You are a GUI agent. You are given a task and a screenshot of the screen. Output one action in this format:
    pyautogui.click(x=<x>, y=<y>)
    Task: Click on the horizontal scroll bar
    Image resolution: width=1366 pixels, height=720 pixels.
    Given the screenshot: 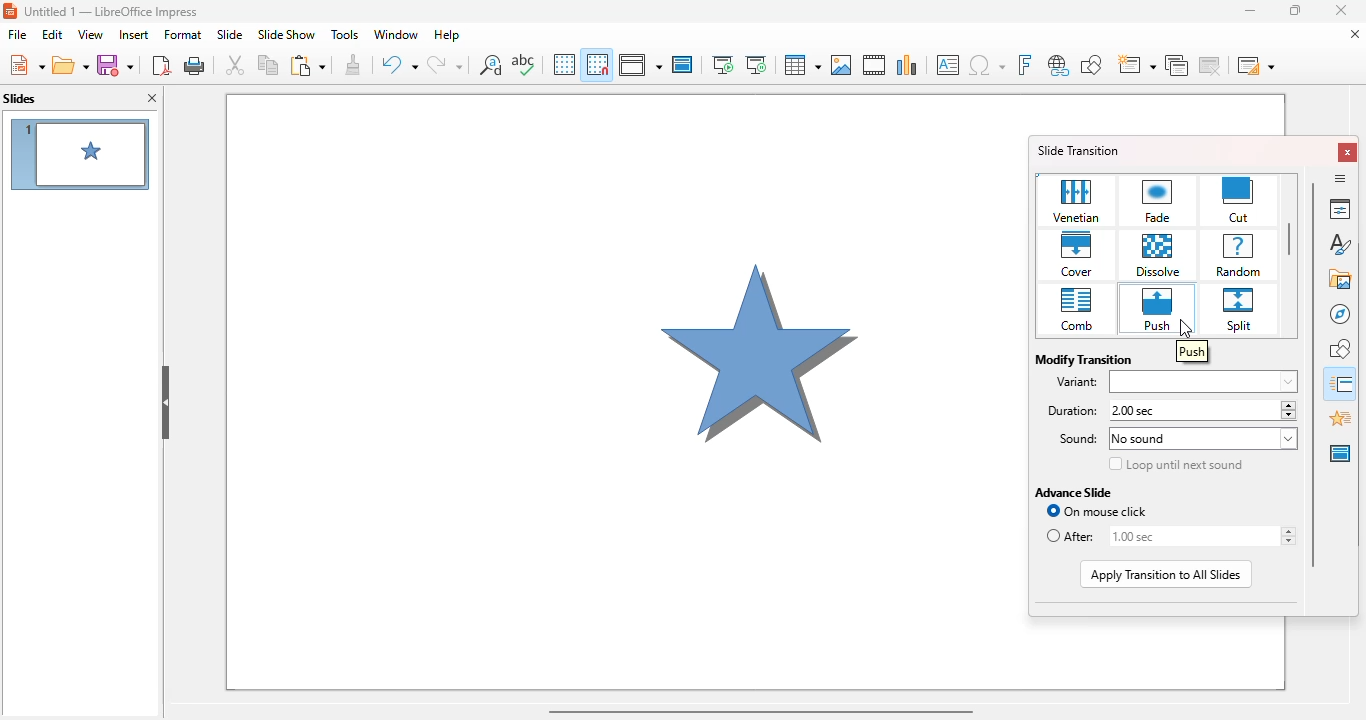 What is the action you would take?
    pyautogui.click(x=760, y=711)
    